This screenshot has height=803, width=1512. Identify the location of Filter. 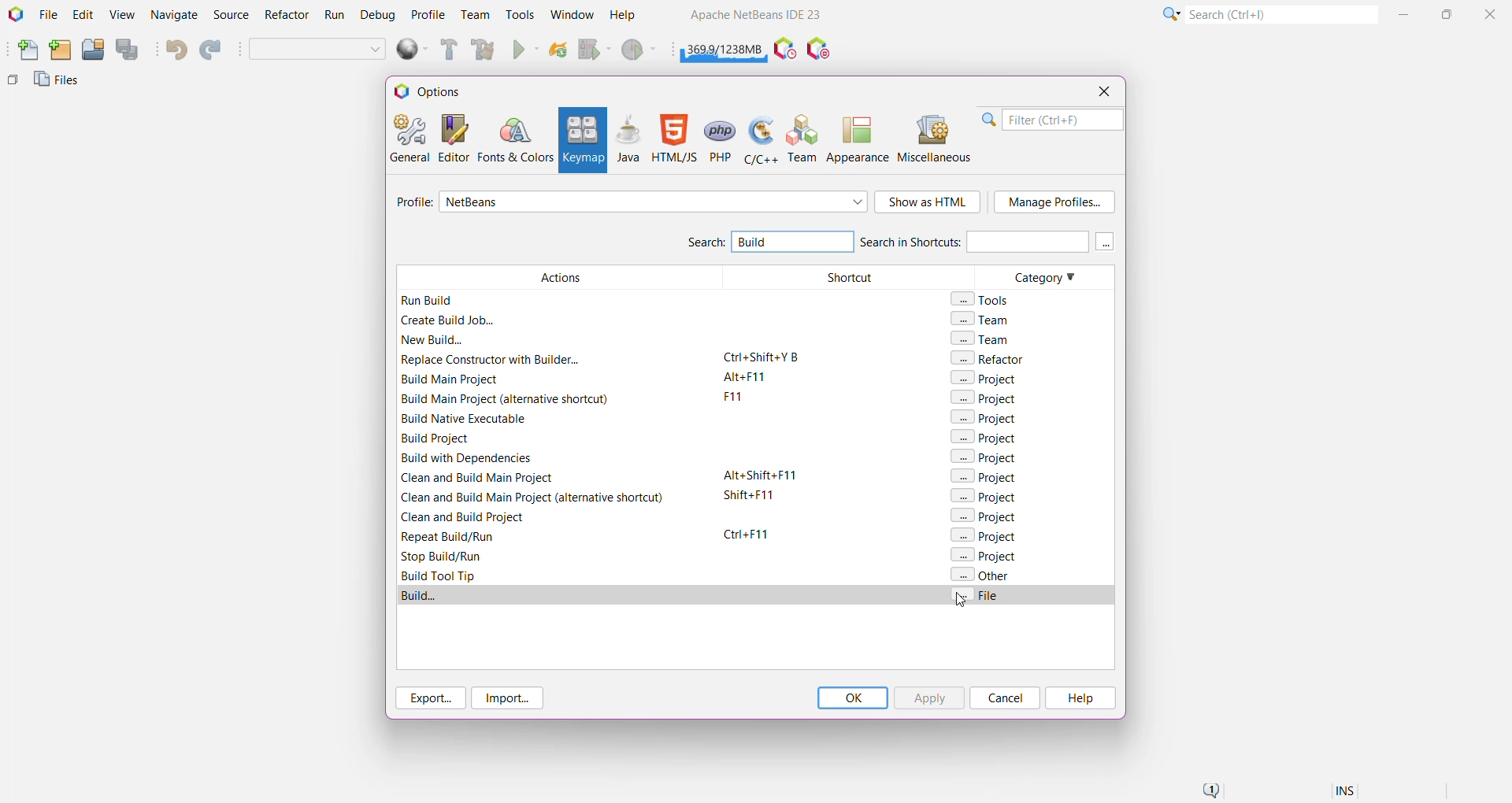
(1052, 120).